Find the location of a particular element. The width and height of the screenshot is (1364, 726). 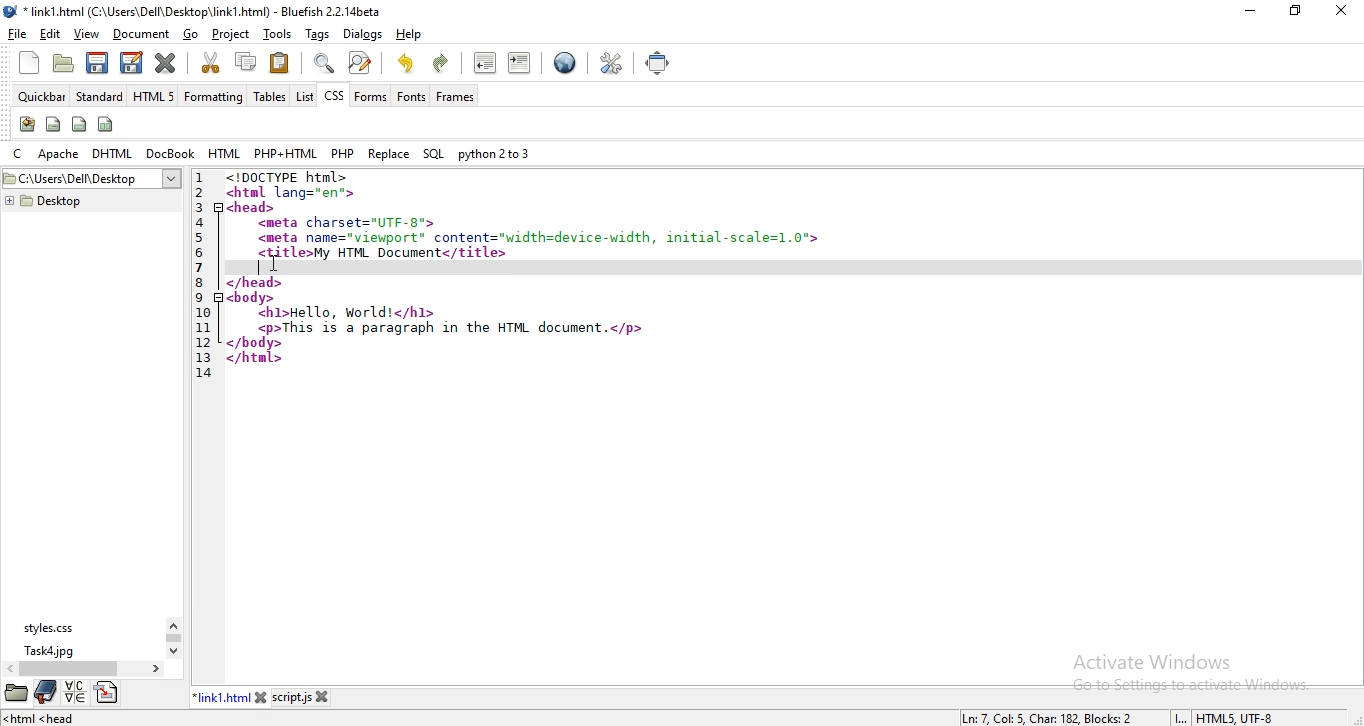

html 5 is located at coordinates (154, 95).